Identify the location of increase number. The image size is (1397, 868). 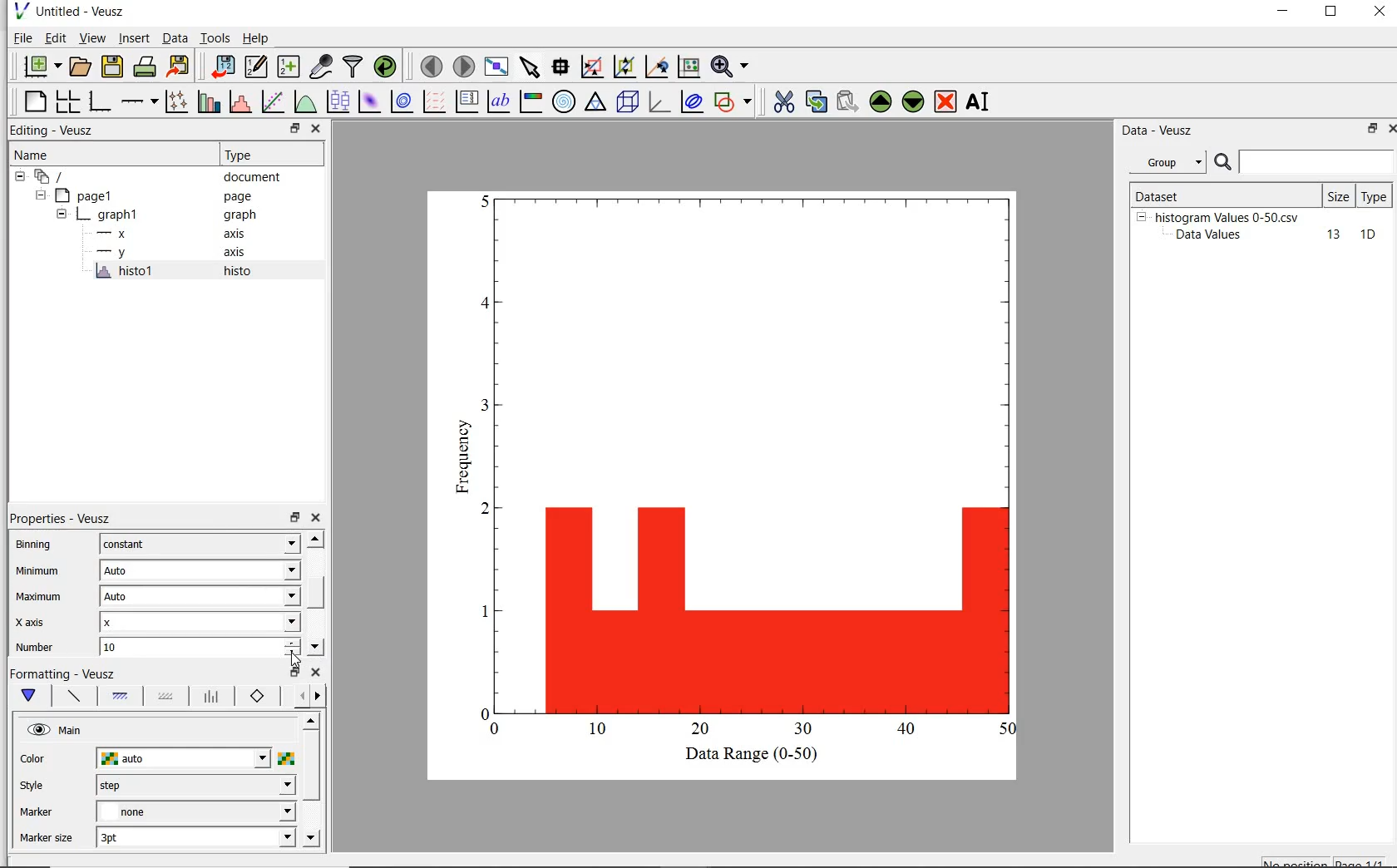
(293, 641).